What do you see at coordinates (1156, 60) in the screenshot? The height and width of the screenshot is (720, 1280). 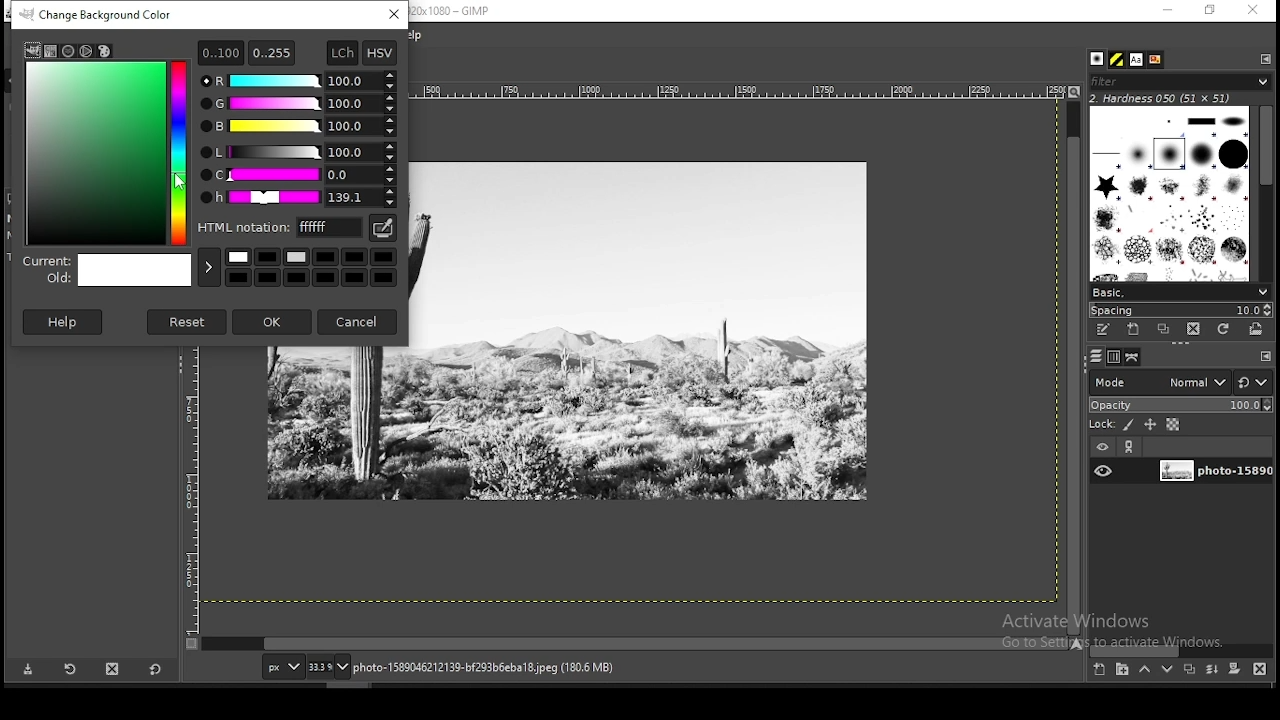 I see `document history` at bounding box center [1156, 60].